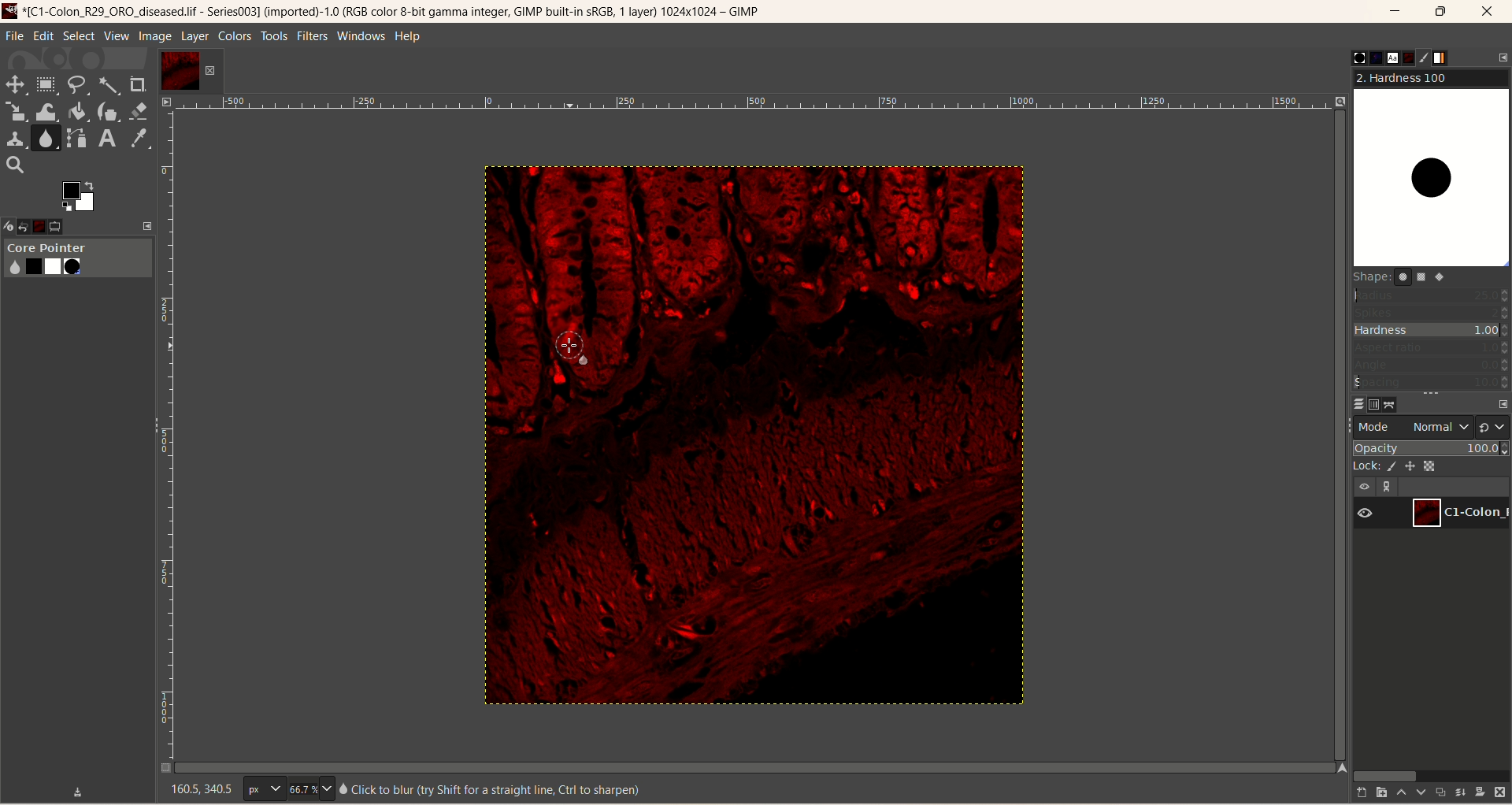 The height and width of the screenshot is (805, 1512). What do you see at coordinates (45, 113) in the screenshot?
I see `wrap transform` at bounding box center [45, 113].